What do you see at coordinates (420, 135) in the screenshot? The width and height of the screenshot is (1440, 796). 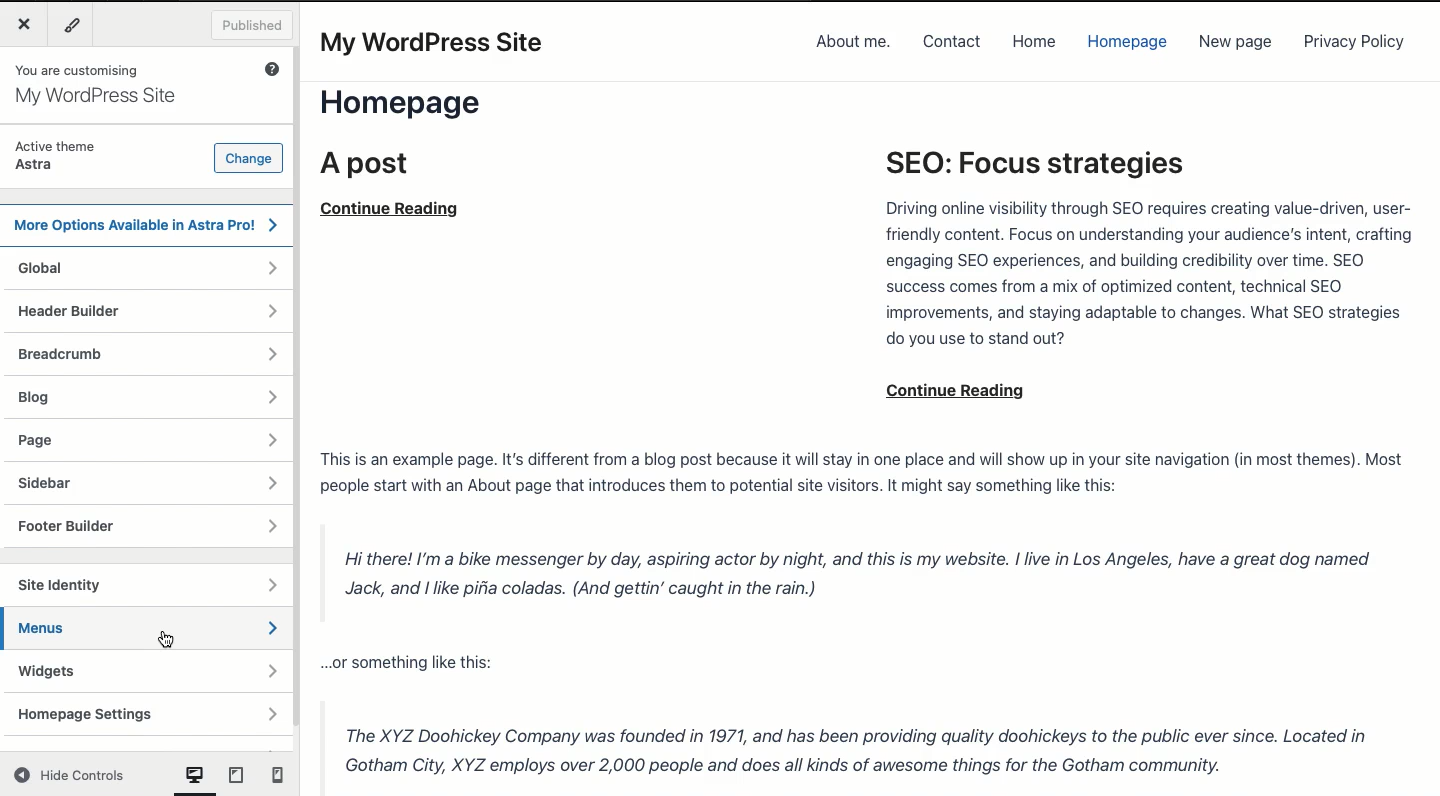 I see `Home page` at bounding box center [420, 135].